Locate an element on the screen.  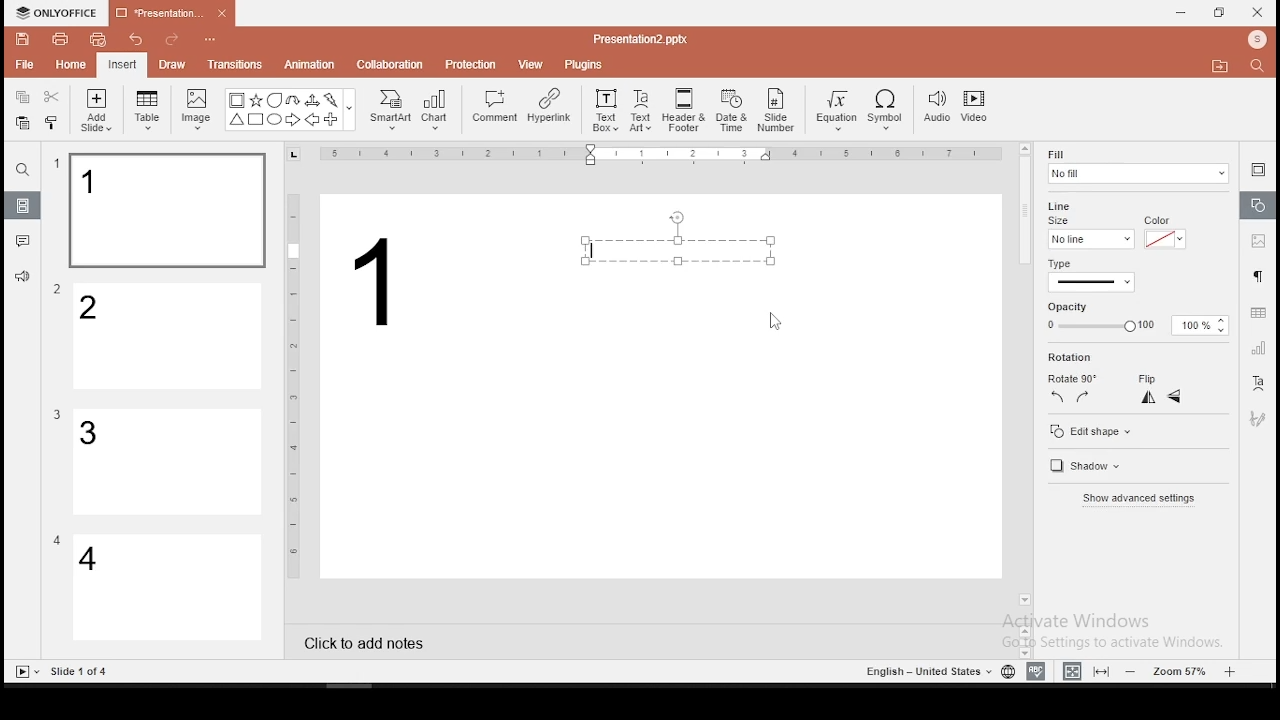
comments is located at coordinates (23, 241).